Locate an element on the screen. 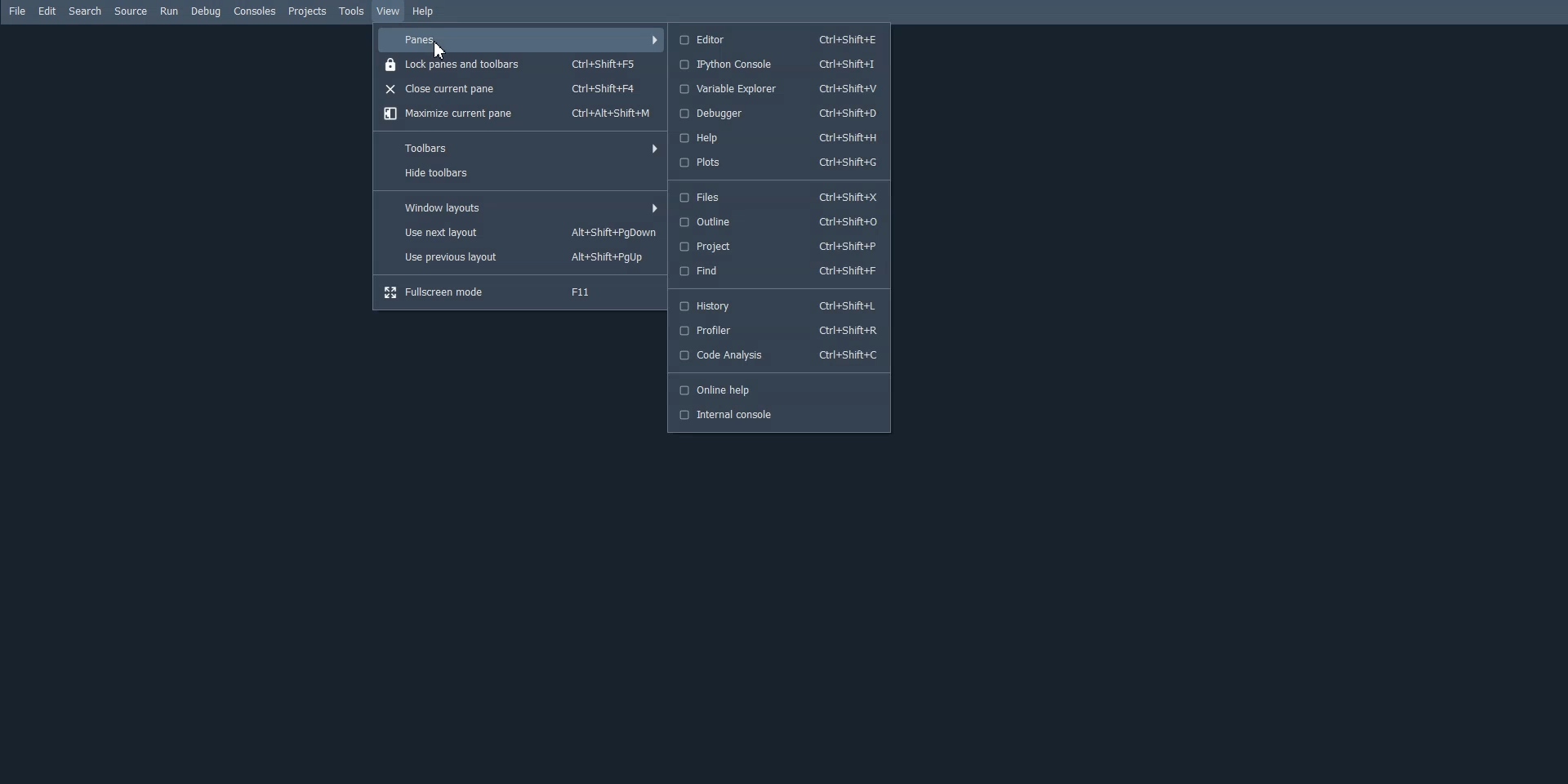  Online help is located at coordinates (778, 390).